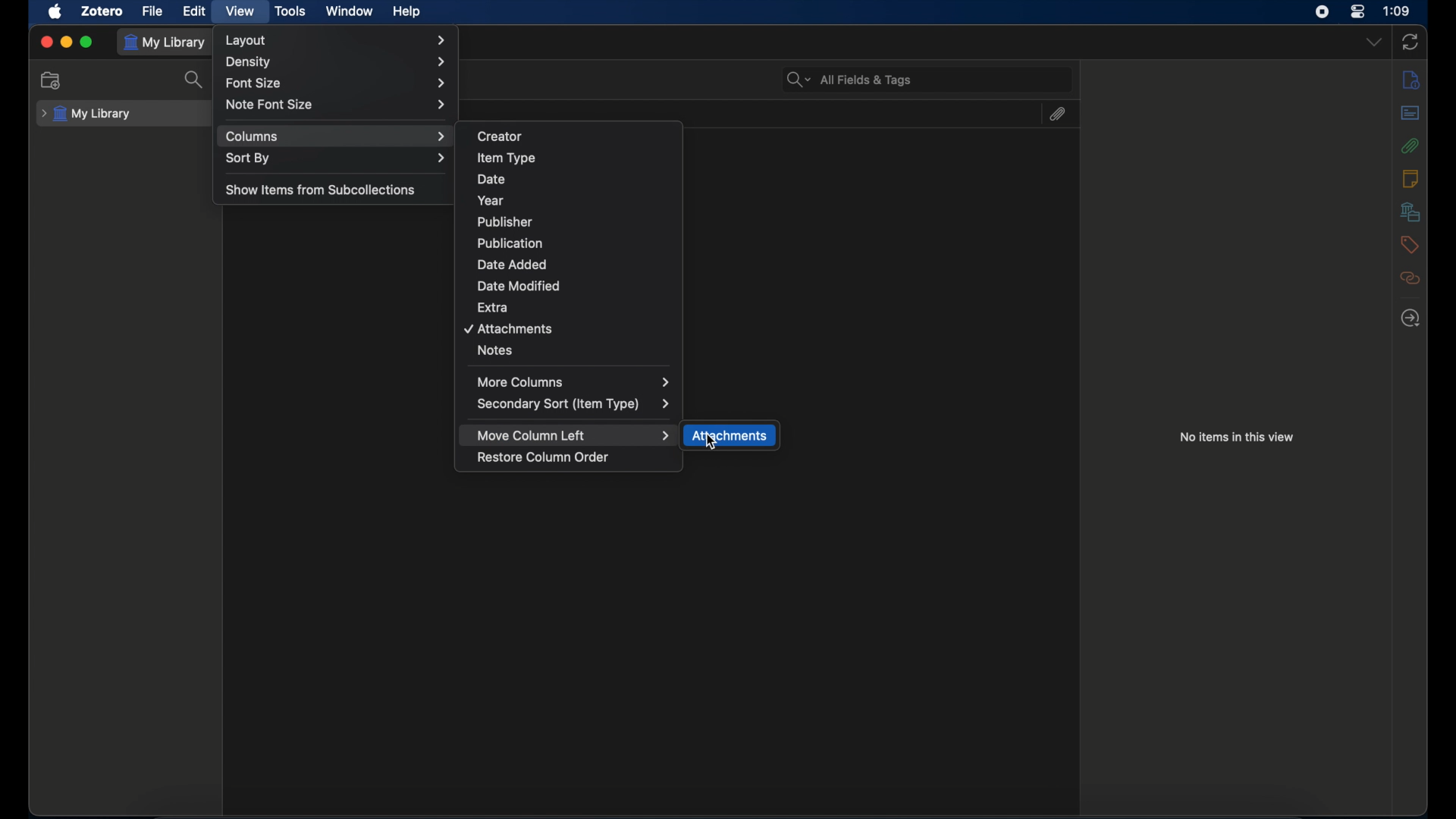 The width and height of the screenshot is (1456, 819). What do you see at coordinates (1409, 243) in the screenshot?
I see `tags` at bounding box center [1409, 243].